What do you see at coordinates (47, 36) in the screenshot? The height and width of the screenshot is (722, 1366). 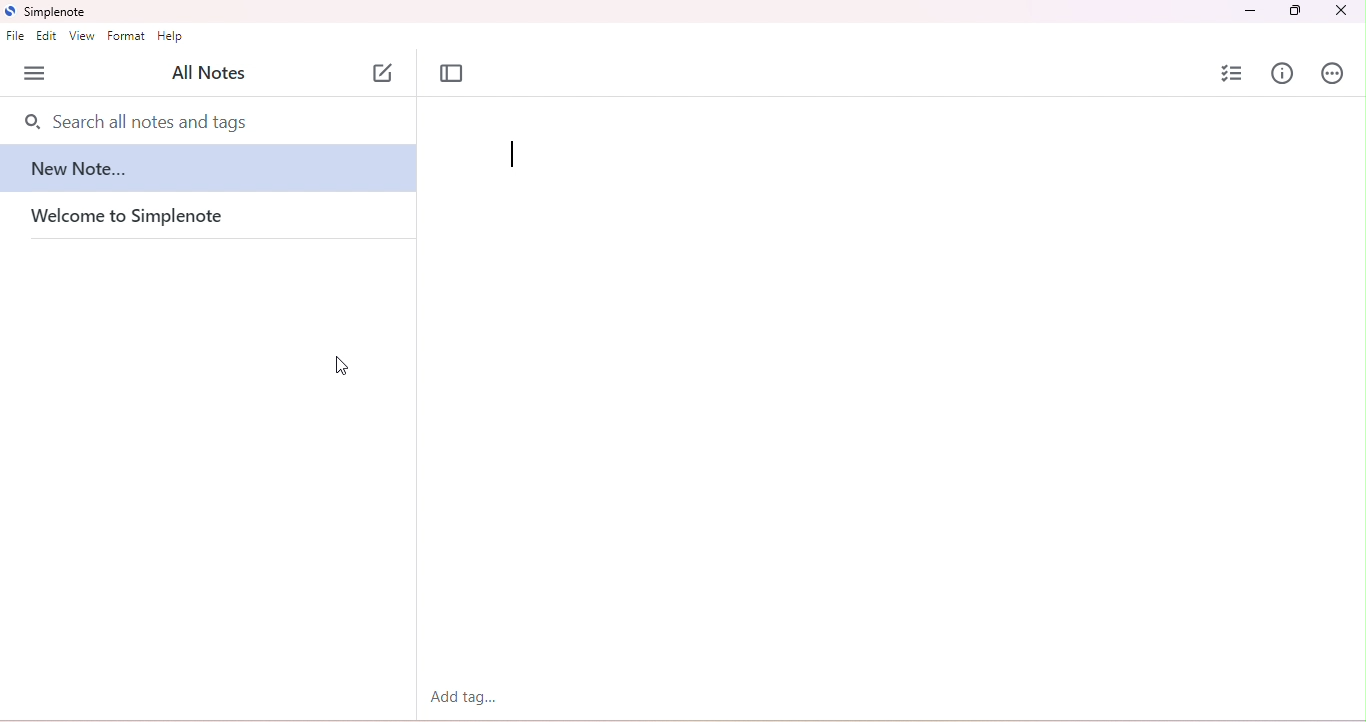 I see `edit` at bounding box center [47, 36].